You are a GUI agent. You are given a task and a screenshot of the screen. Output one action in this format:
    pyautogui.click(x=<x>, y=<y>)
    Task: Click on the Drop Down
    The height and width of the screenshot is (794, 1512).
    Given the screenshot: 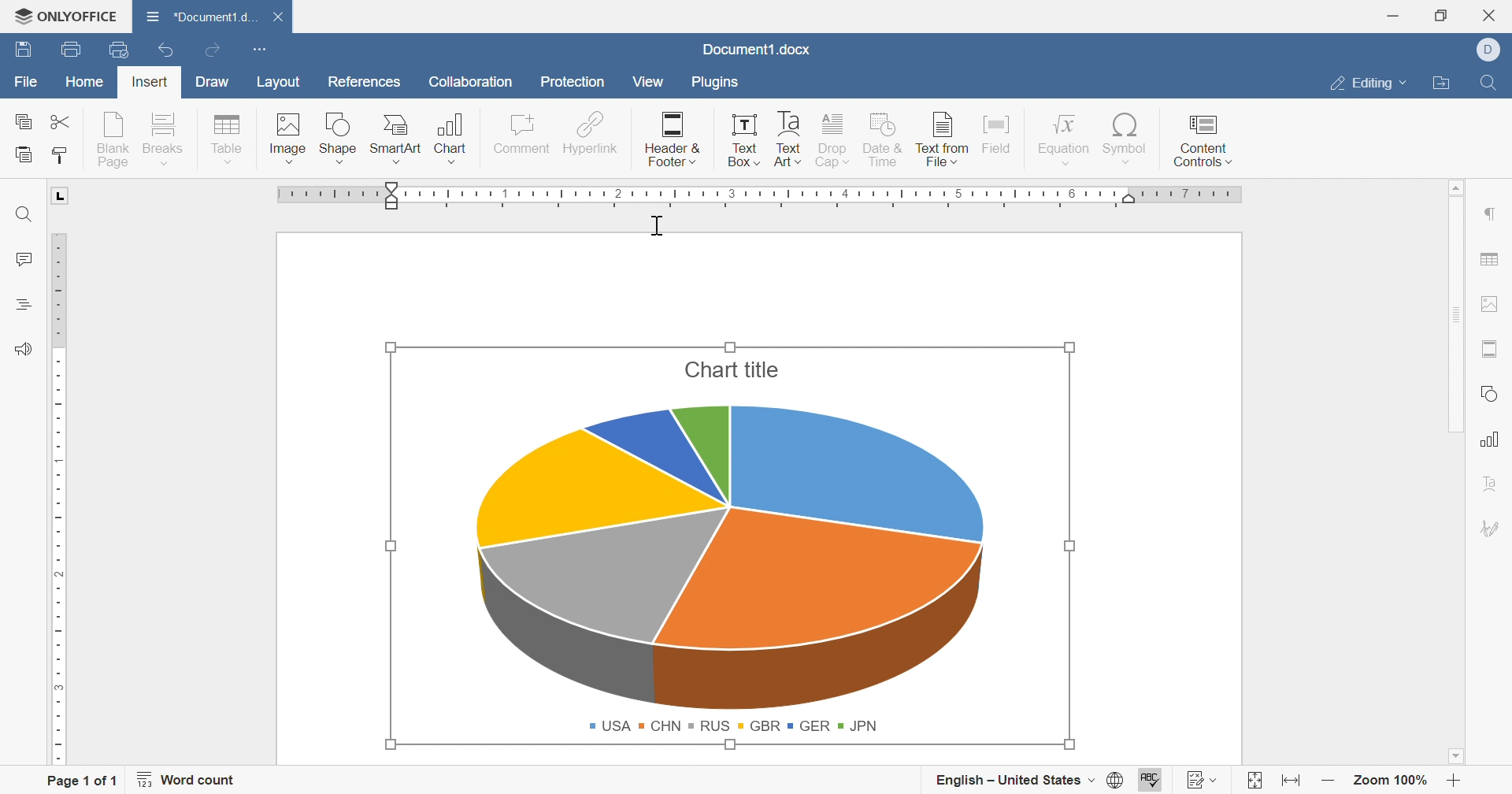 What is the action you would take?
    pyautogui.click(x=1406, y=84)
    